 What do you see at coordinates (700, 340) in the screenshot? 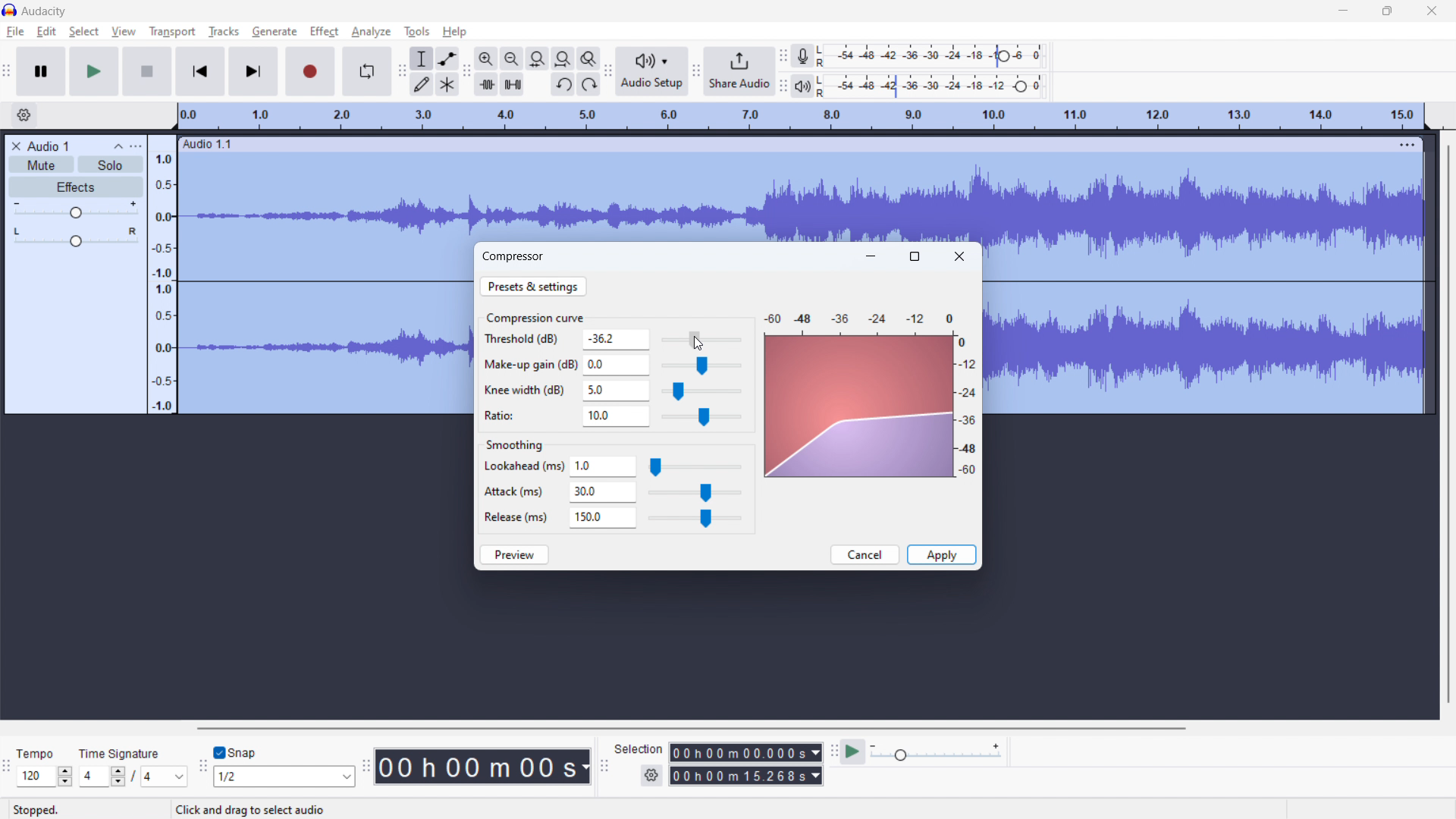
I see `thresh hold slider (sliding down) ` at bounding box center [700, 340].